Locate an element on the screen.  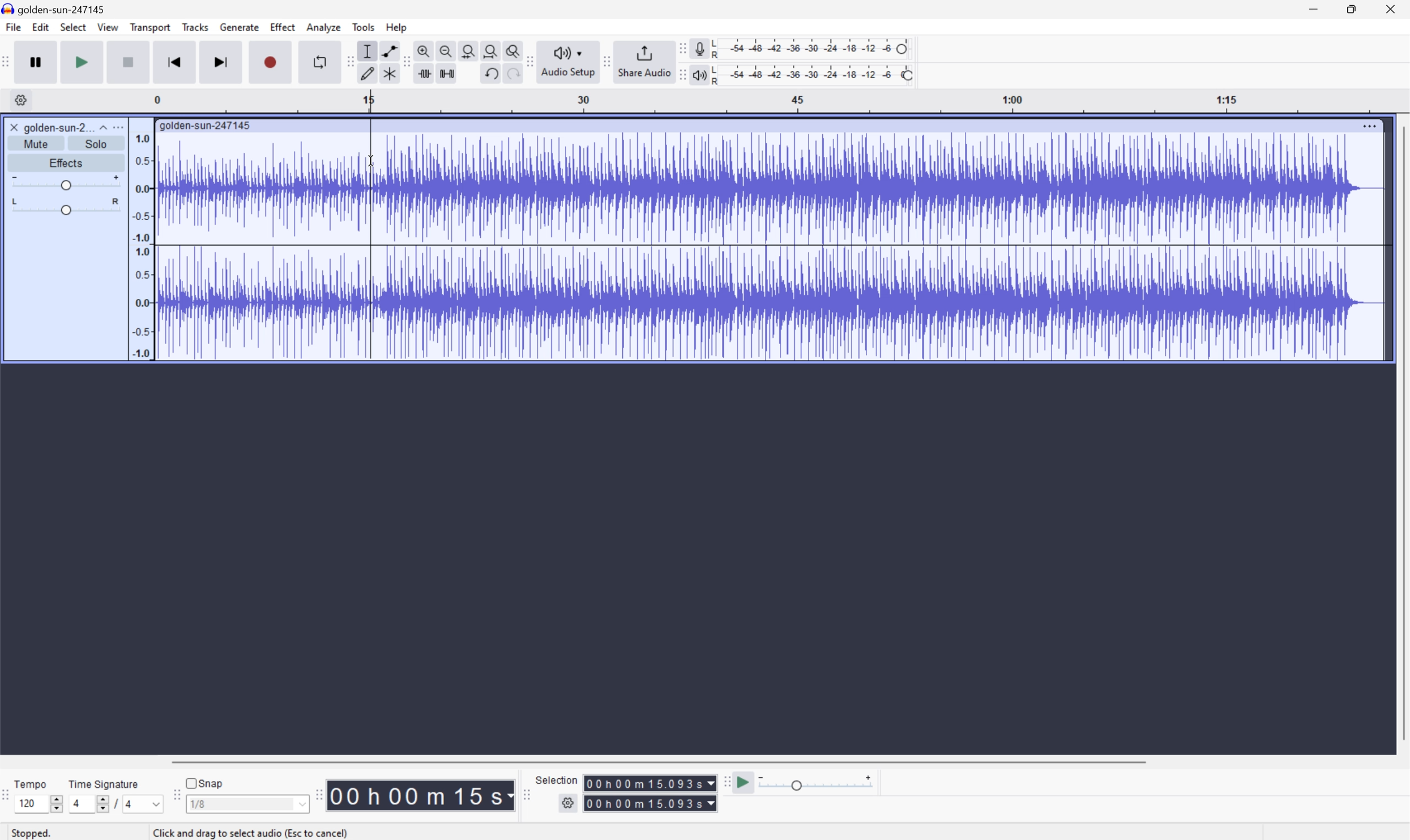
Audacity playback meter toolbar is located at coordinates (678, 76).